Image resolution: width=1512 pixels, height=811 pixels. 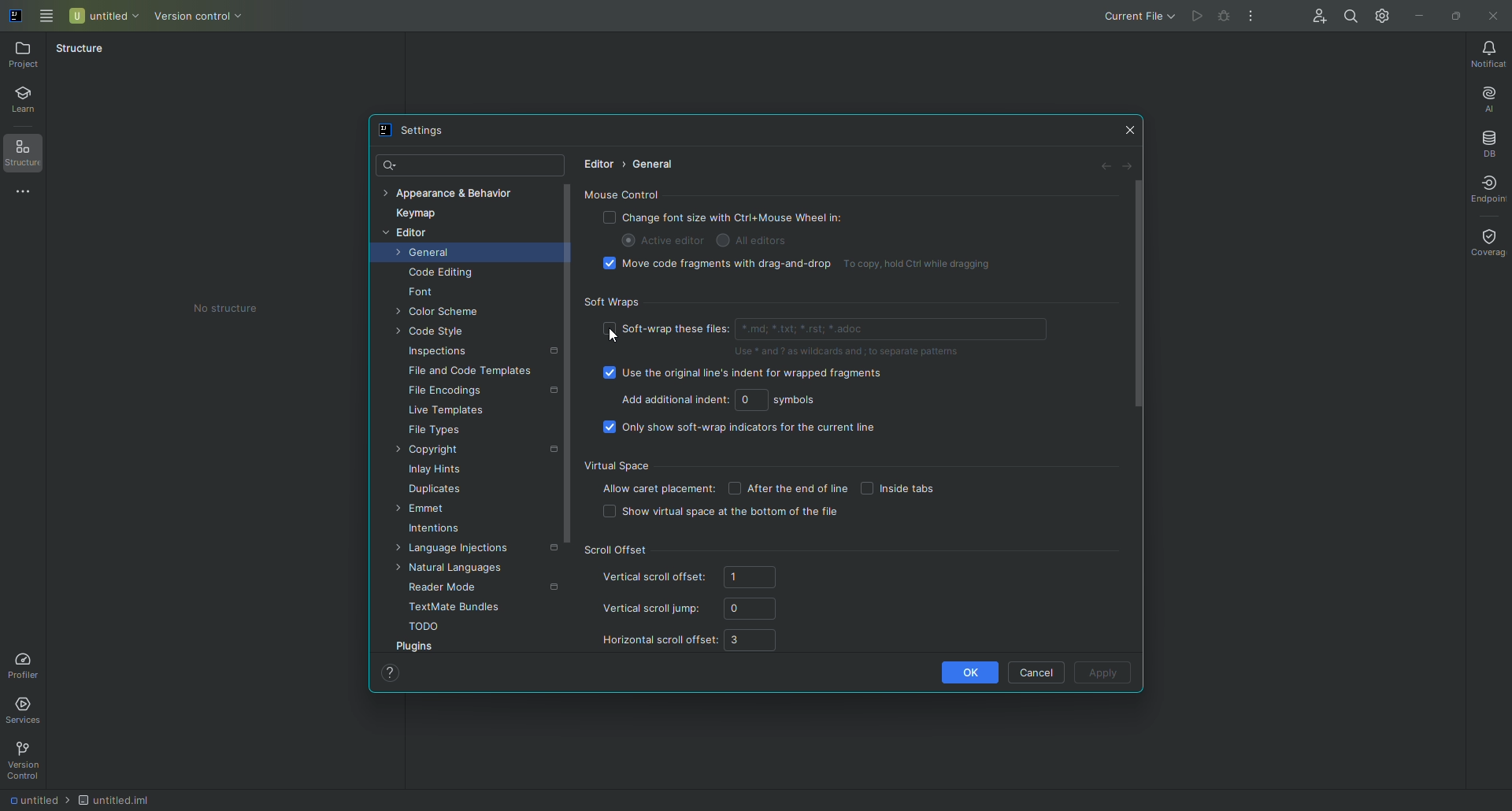 What do you see at coordinates (1251, 16) in the screenshot?
I see `More Actions` at bounding box center [1251, 16].